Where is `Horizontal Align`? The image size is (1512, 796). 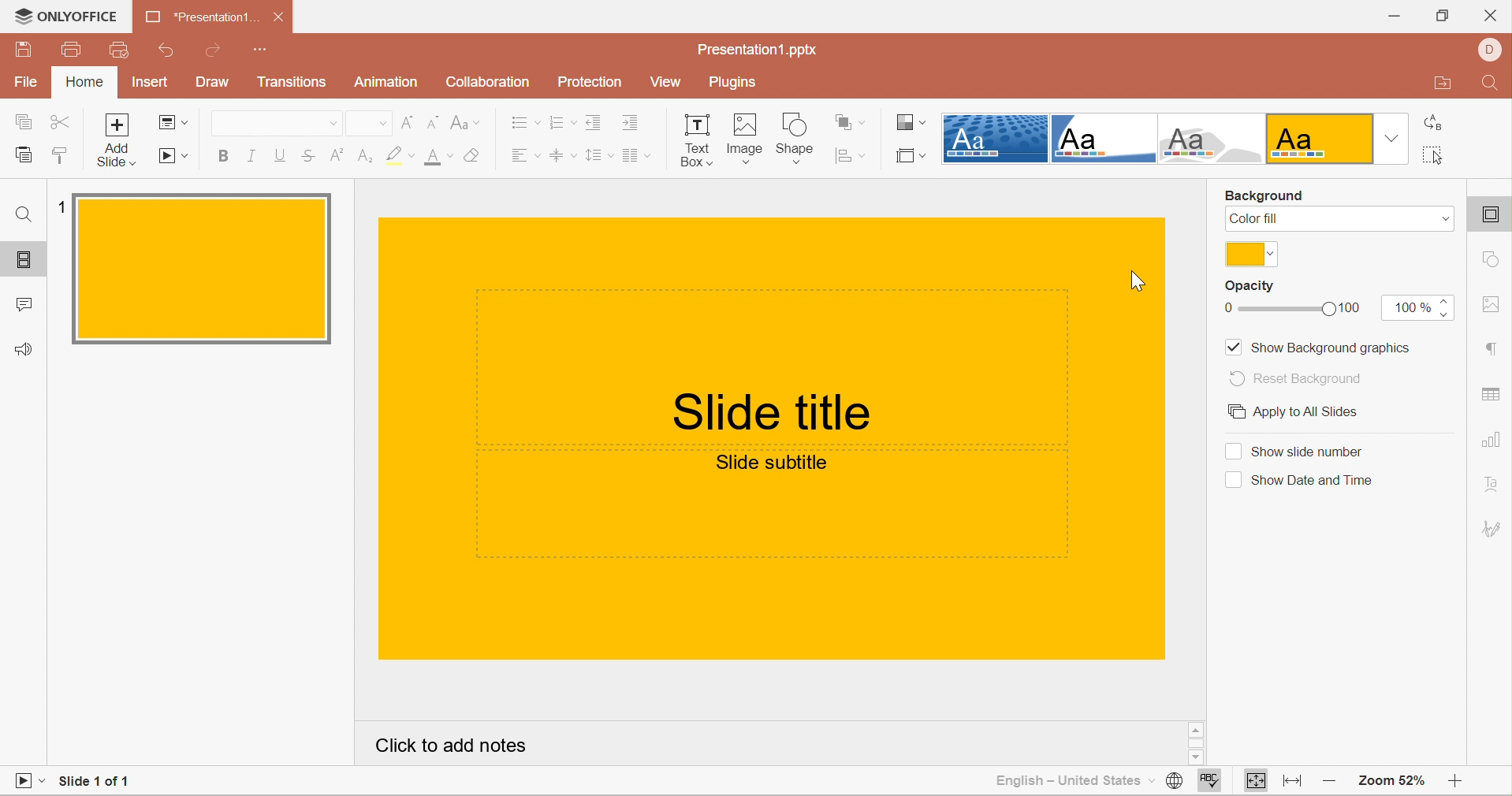 Horizontal Align is located at coordinates (525, 157).